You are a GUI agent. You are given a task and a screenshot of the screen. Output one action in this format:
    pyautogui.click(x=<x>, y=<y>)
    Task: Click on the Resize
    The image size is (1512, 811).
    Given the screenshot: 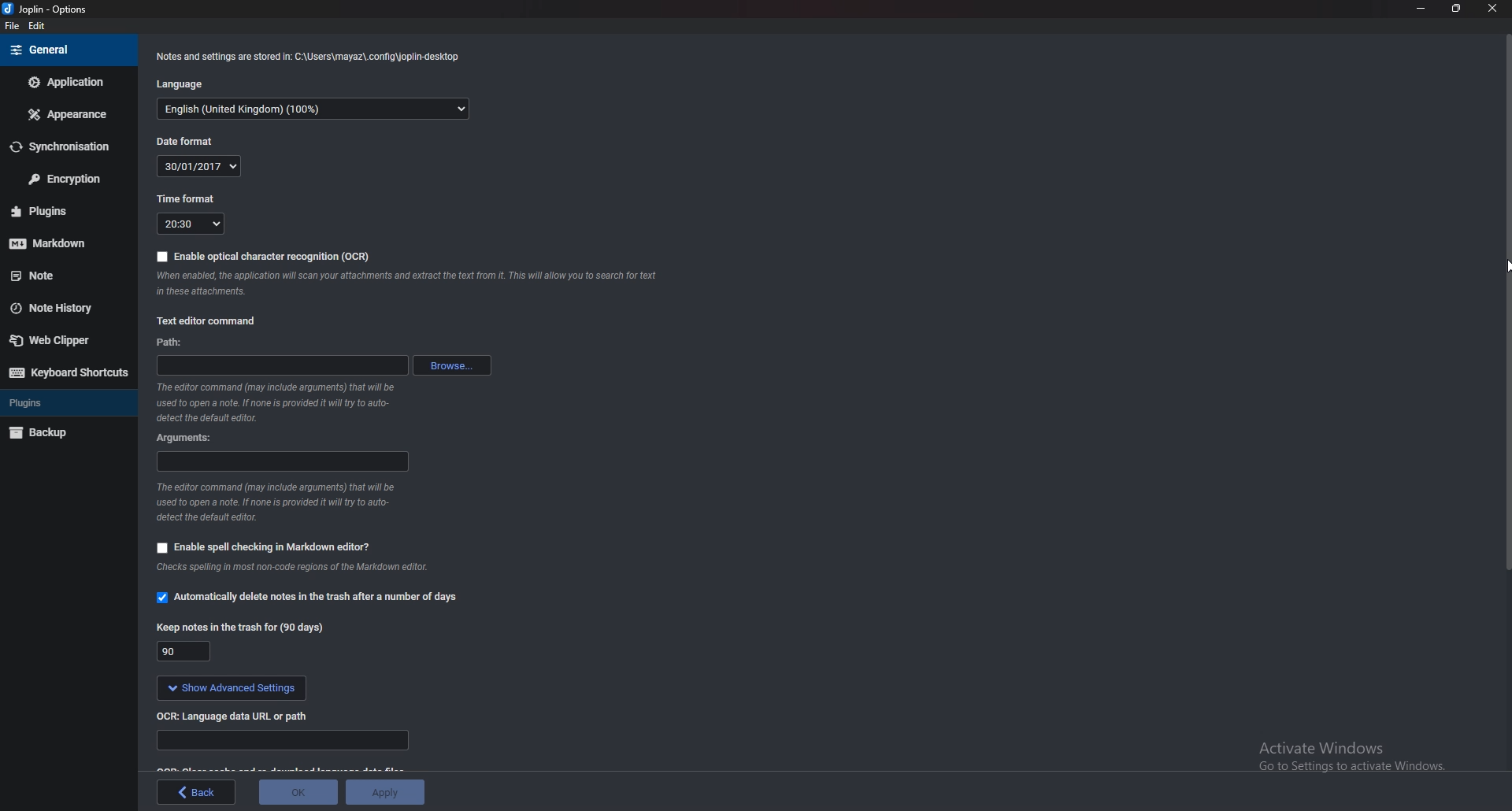 What is the action you would take?
    pyautogui.click(x=1456, y=9)
    